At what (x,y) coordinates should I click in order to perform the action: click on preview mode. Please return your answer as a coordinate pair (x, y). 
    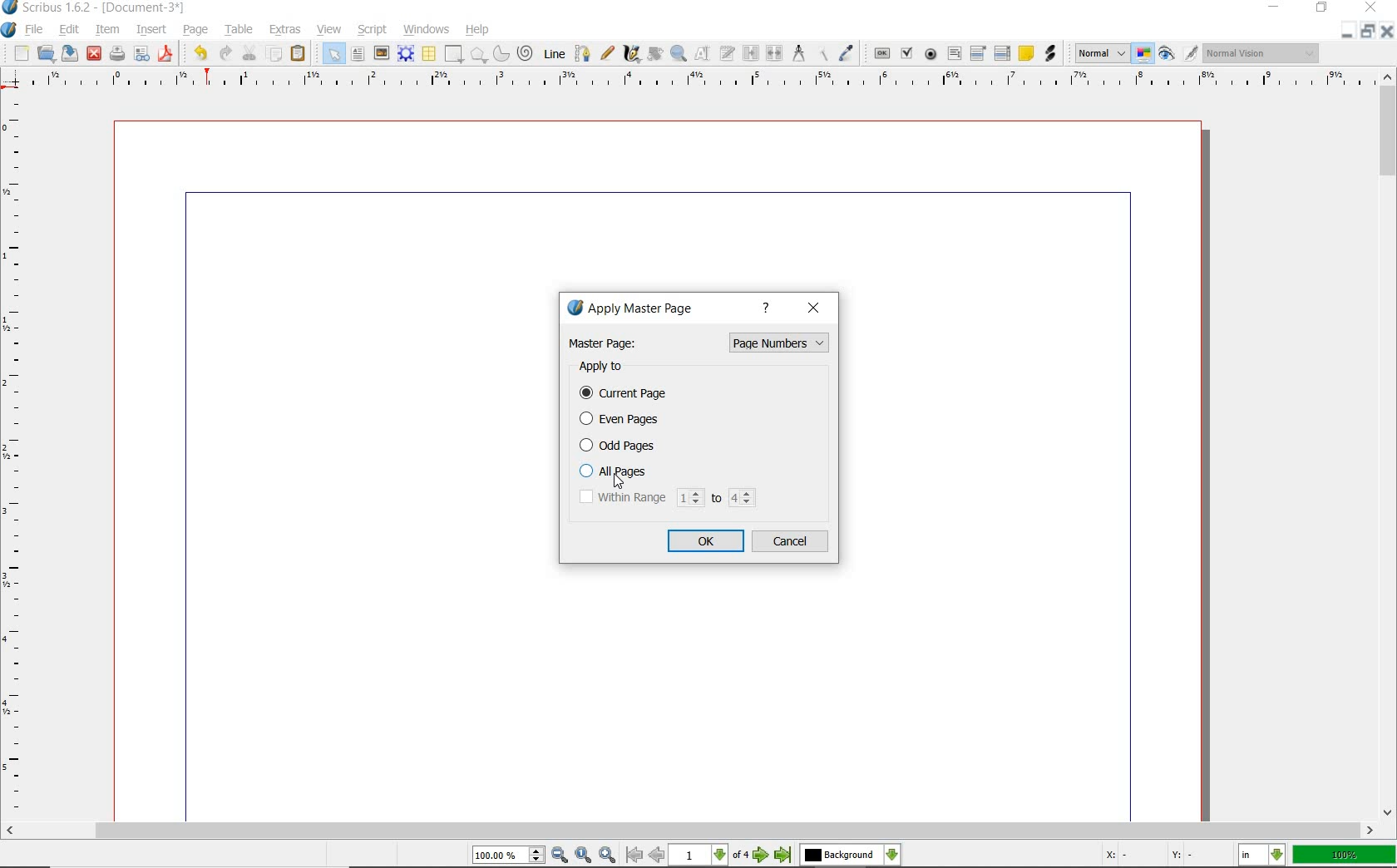
    Looking at the image, I should click on (1168, 53).